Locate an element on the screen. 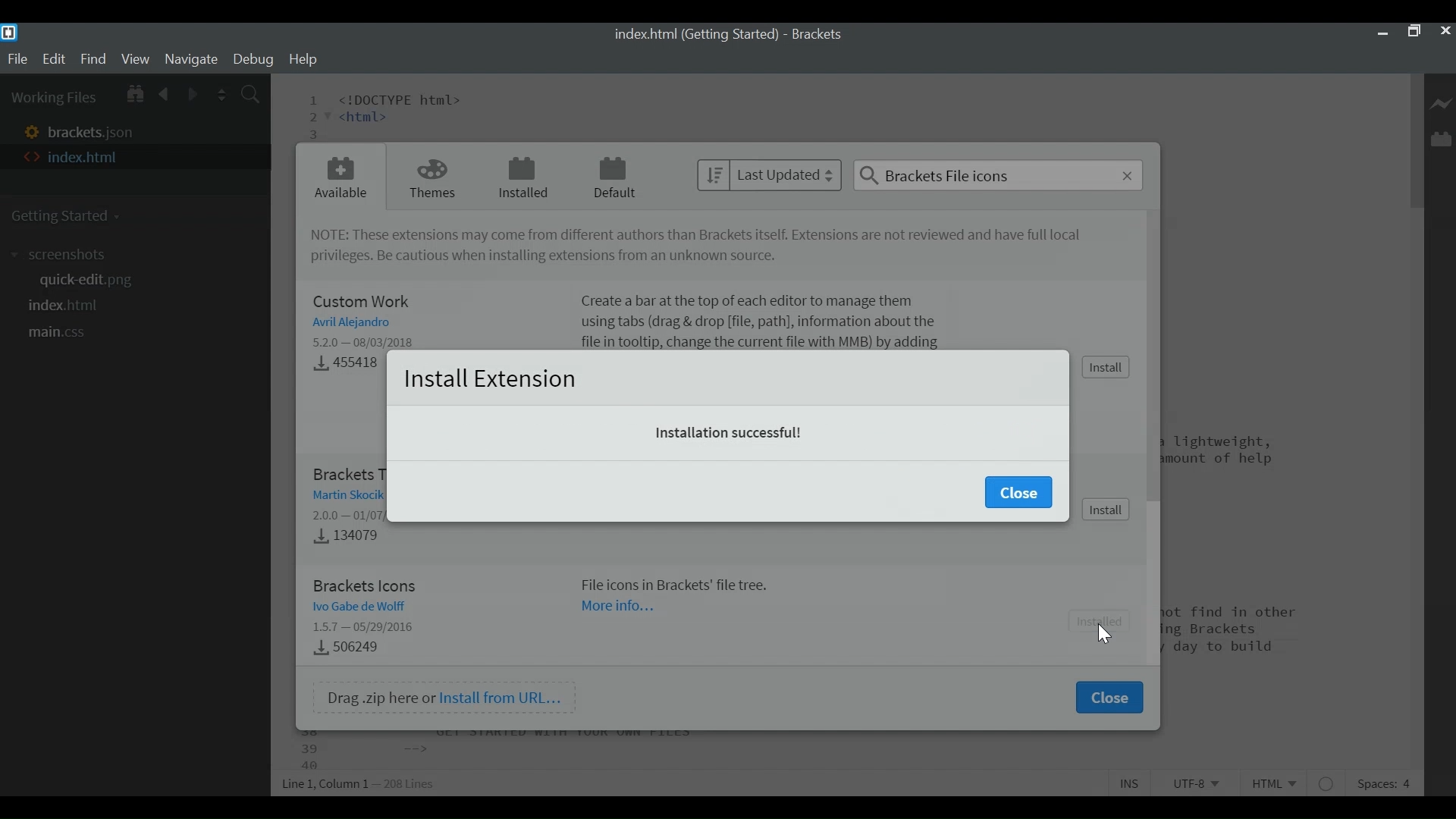 This screenshot has height=819, width=1456. Default is located at coordinates (616, 177).